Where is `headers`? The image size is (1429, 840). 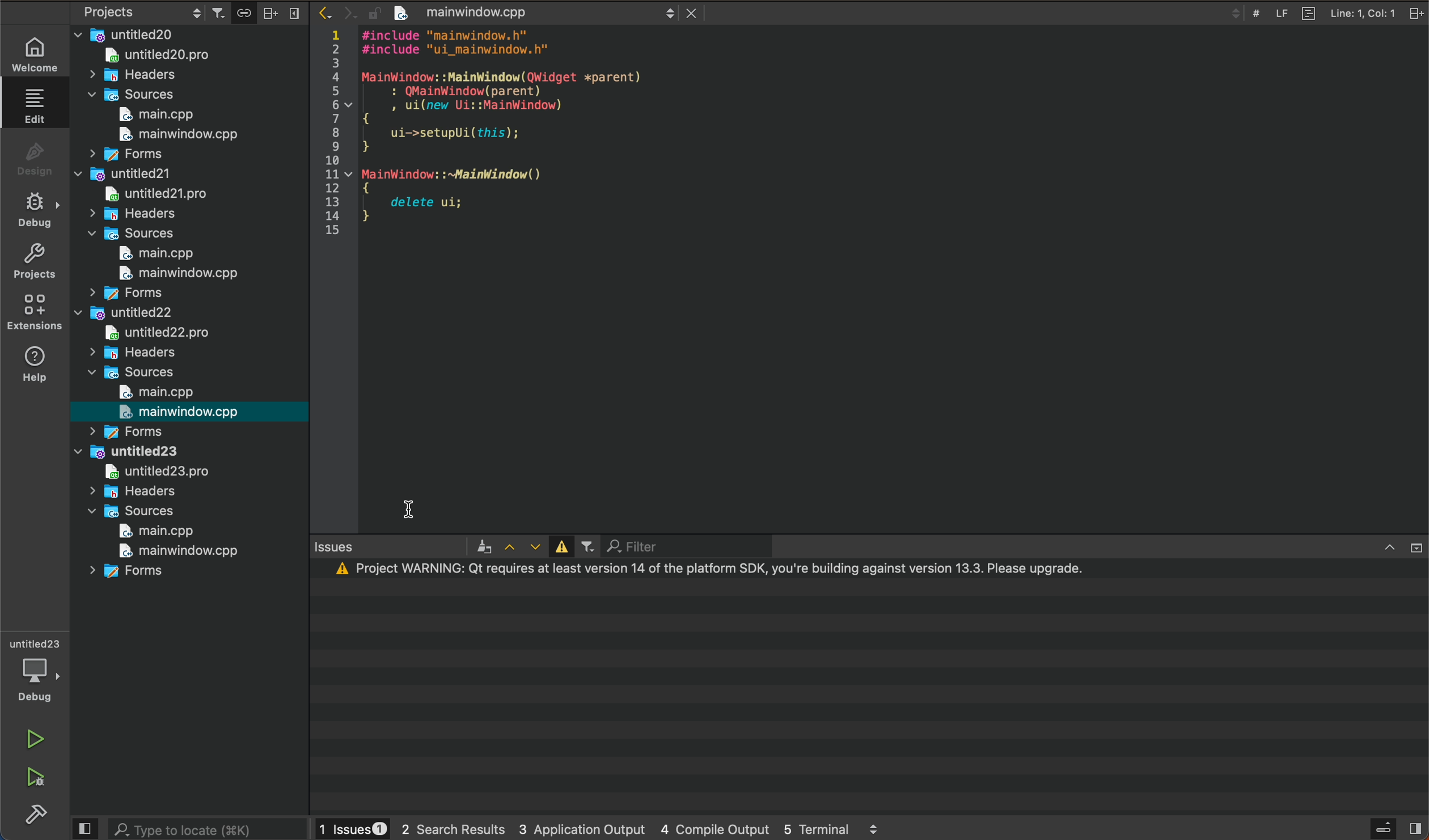
headers is located at coordinates (132, 491).